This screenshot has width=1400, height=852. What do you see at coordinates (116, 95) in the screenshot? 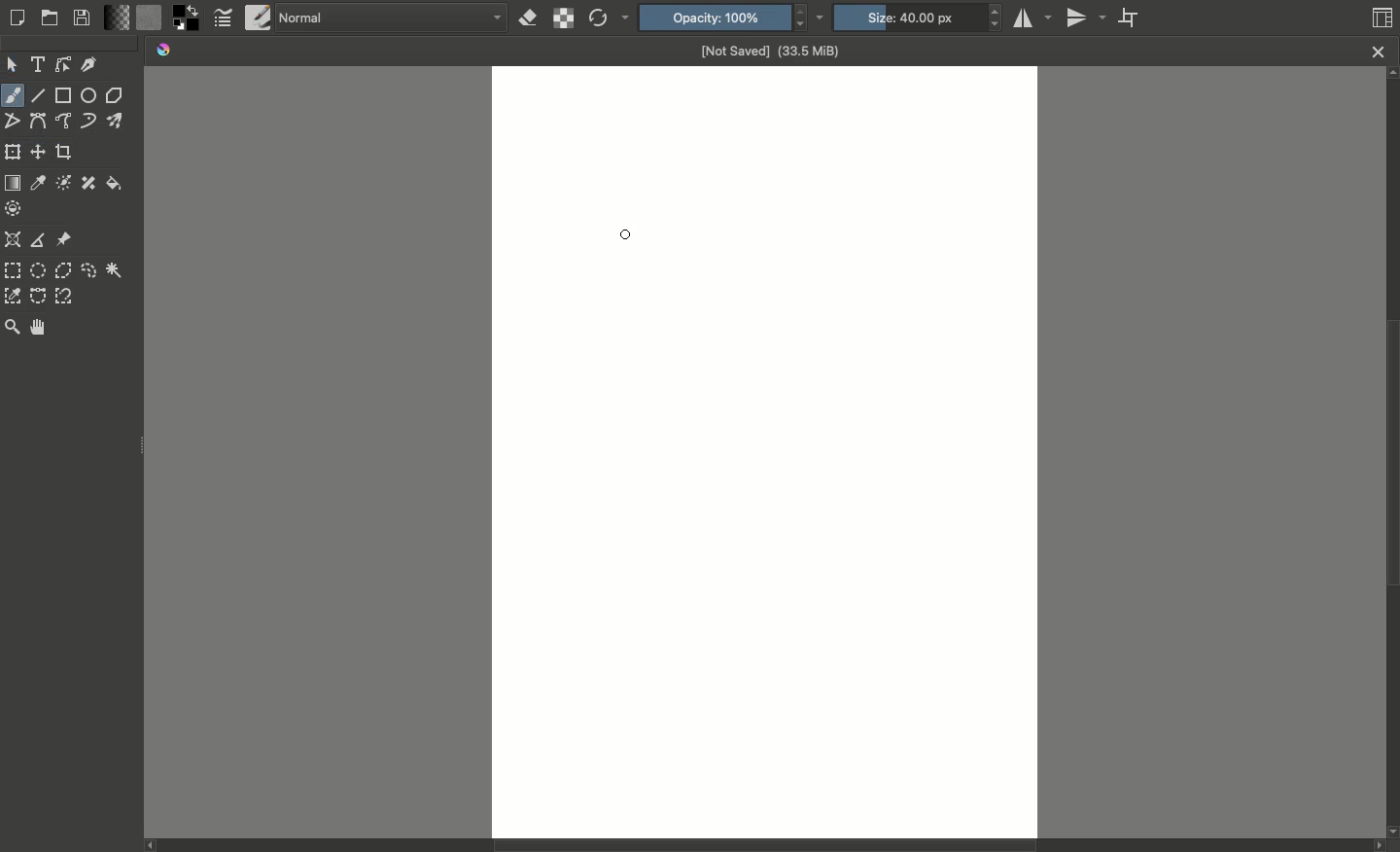
I see `Polygon tool` at bounding box center [116, 95].